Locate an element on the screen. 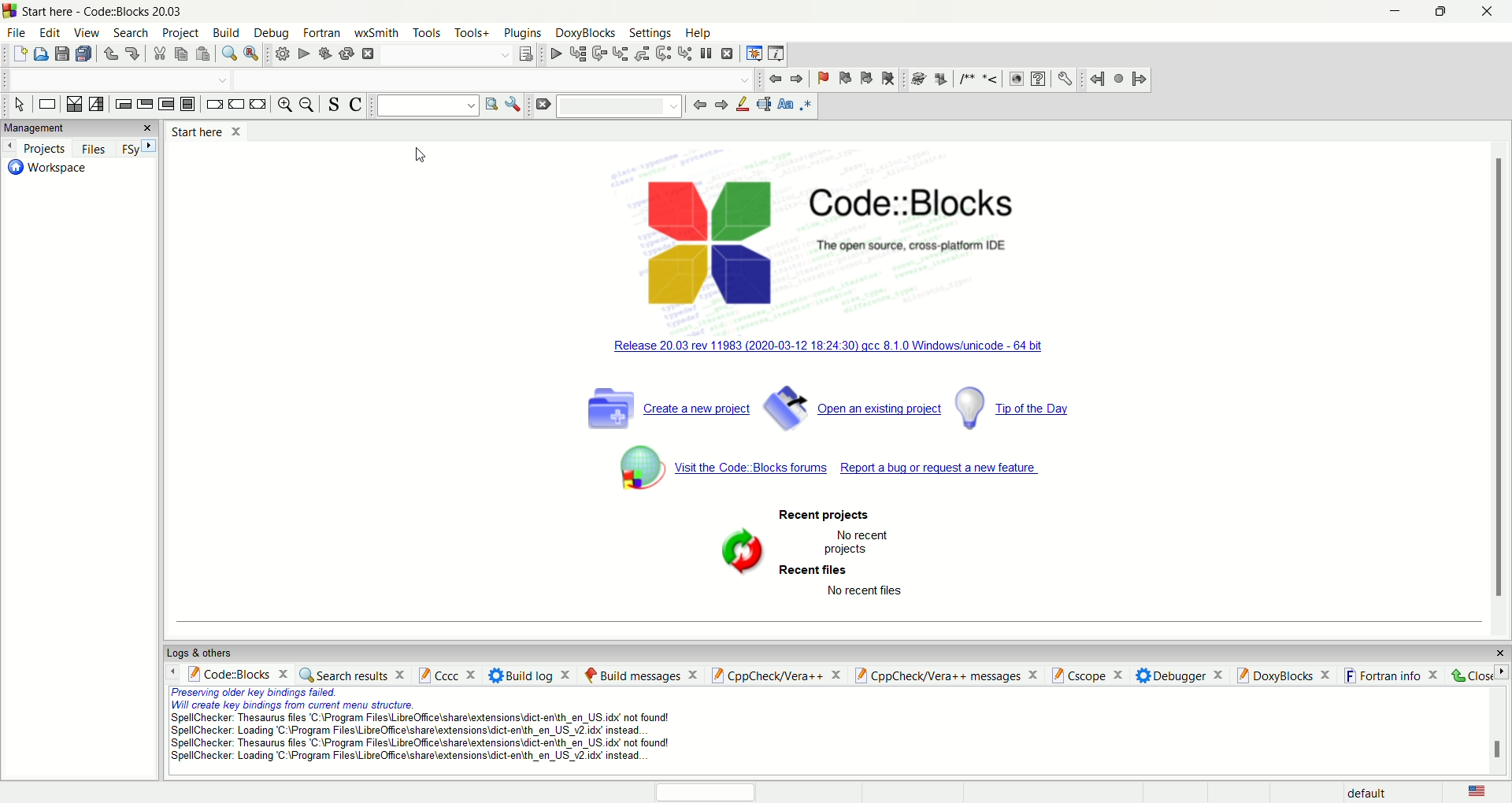  run to cursor is located at coordinates (576, 54).